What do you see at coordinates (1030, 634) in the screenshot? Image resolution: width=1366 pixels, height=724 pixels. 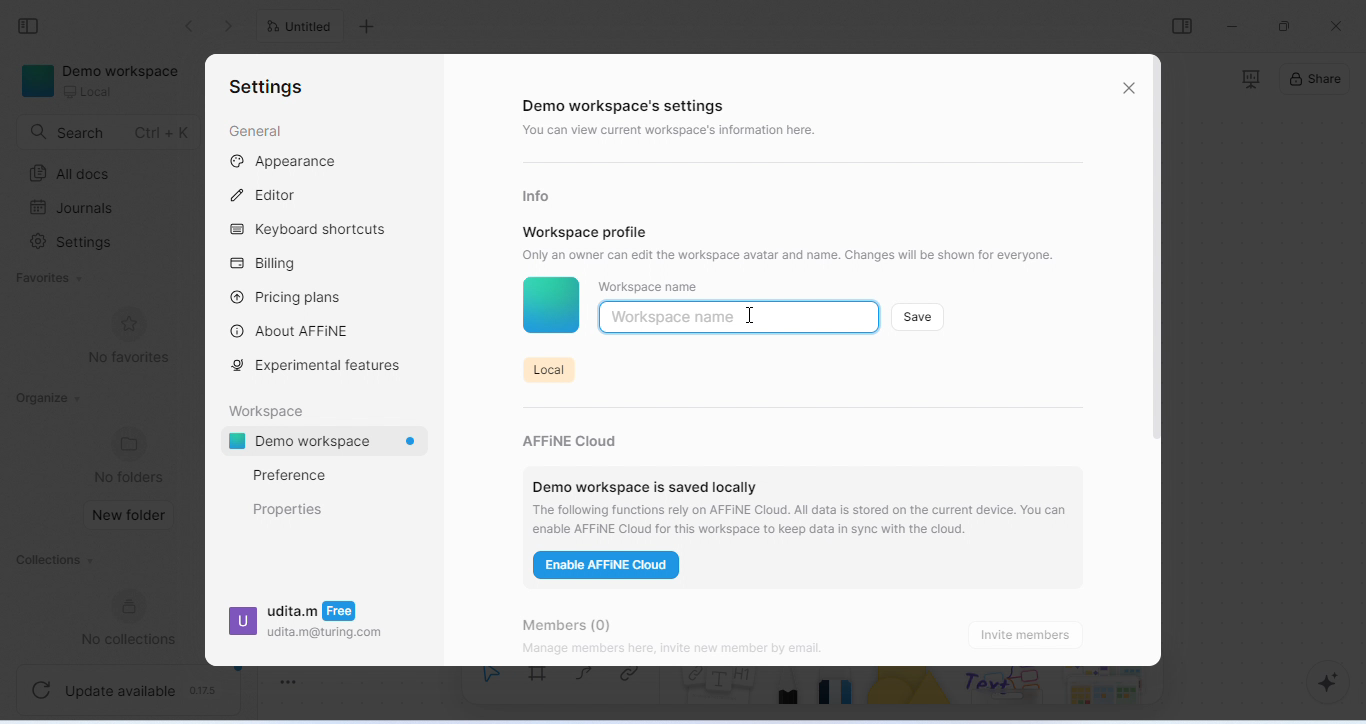 I see `invite members` at bounding box center [1030, 634].